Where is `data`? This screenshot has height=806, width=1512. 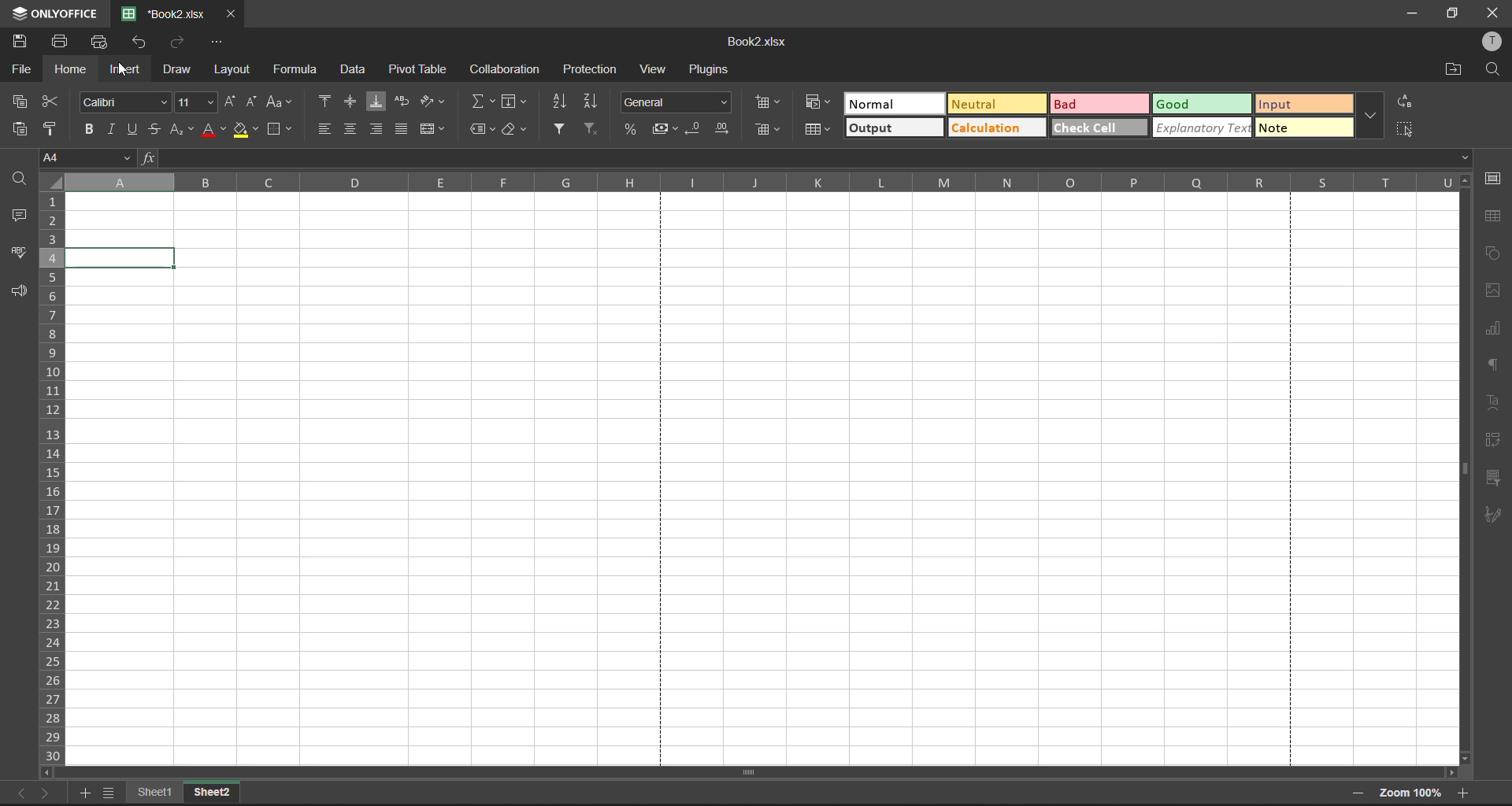
data is located at coordinates (352, 69).